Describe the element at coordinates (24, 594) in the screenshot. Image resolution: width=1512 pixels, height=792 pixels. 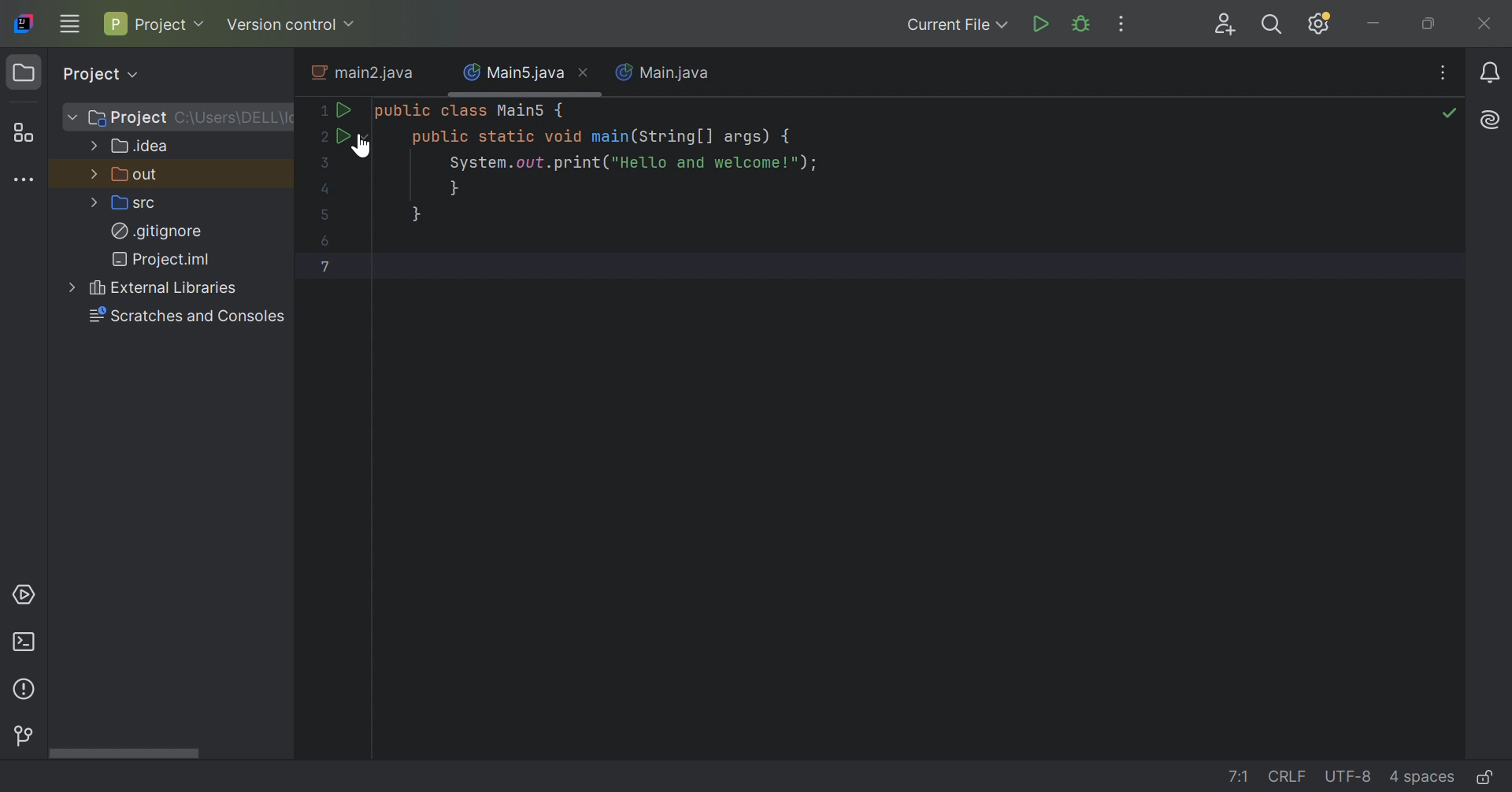
I see `Services` at that location.